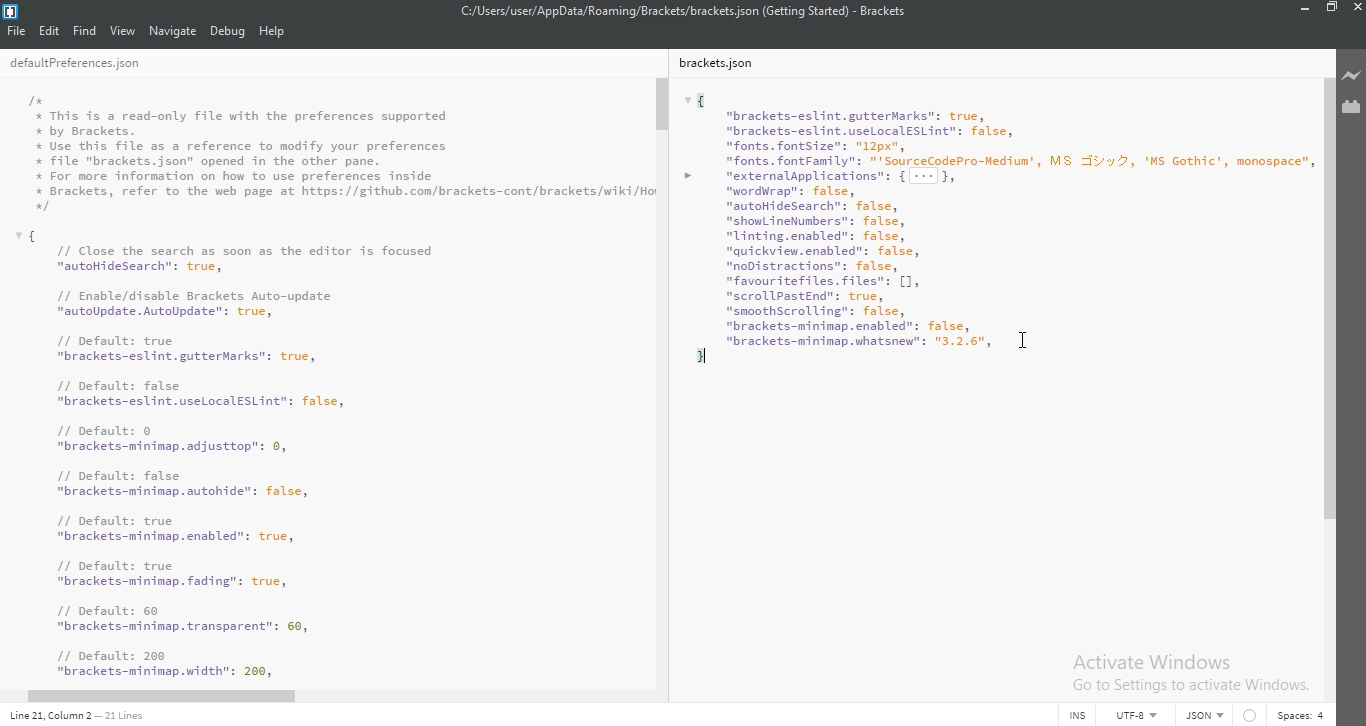 The height and width of the screenshot is (726, 1366). Describe the element at coordinates (85, 30) in the screenshot. I see `Find` at that location.